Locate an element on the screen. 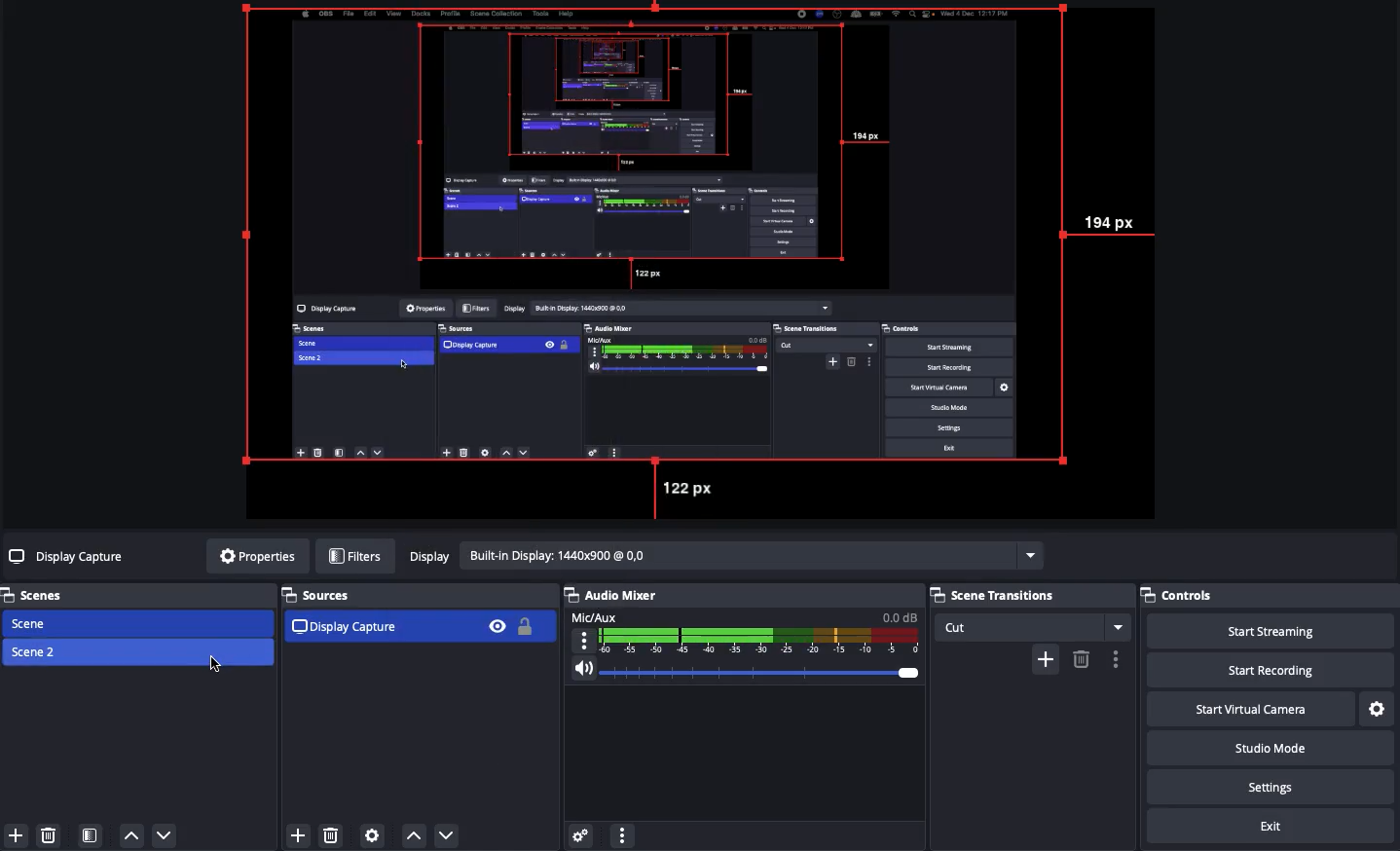  Scene filter is located at coordinates (91, 834).